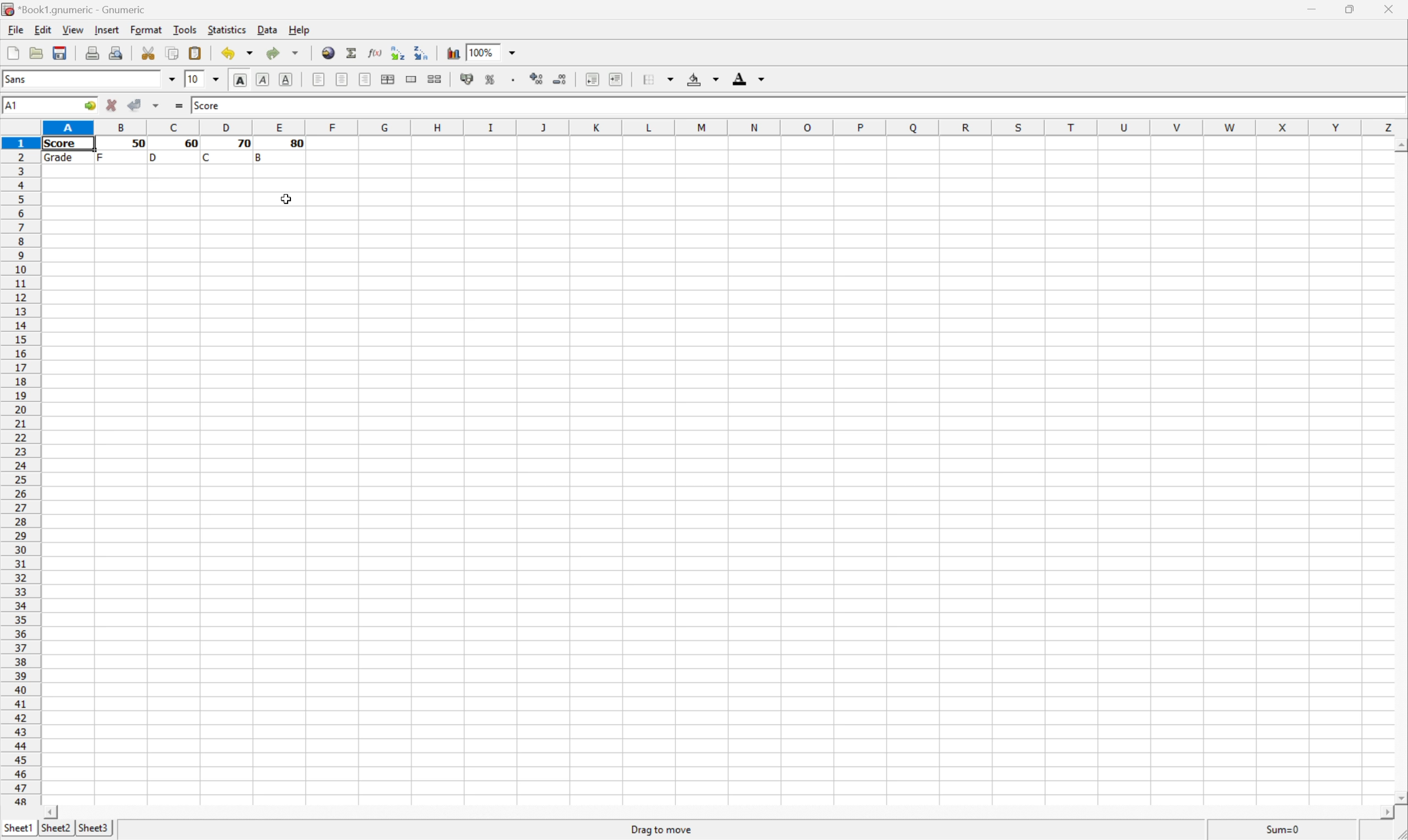 The height and width of the screenshot is (840, 1408). Describe the element at coordinates (389, 79) in the screenshot. I see `Center horizontally across the selection` at that location.